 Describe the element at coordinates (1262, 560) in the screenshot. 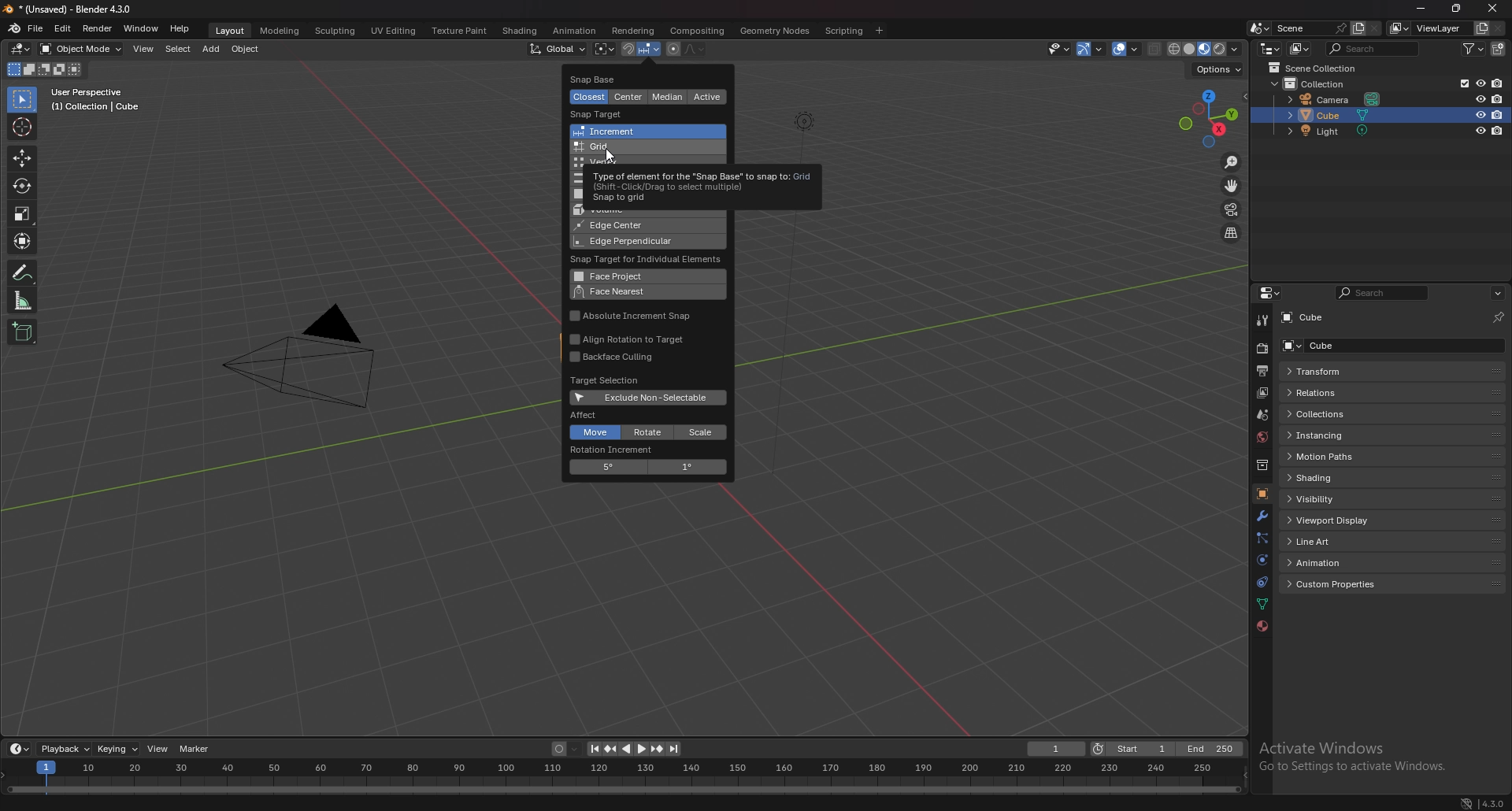

I see `physics` at that location.